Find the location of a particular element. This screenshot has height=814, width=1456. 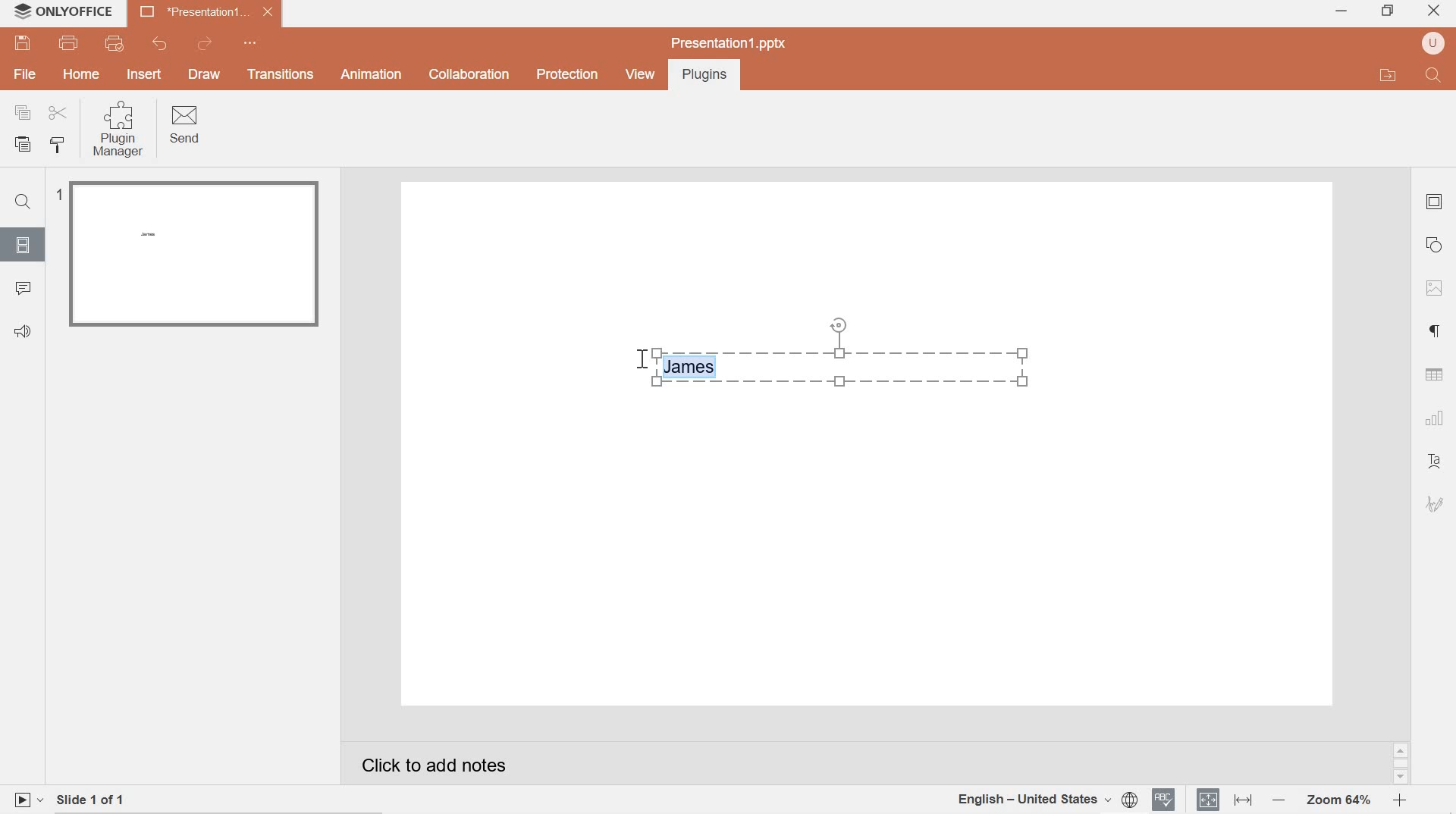

close is located at coordinates (1436, 8).